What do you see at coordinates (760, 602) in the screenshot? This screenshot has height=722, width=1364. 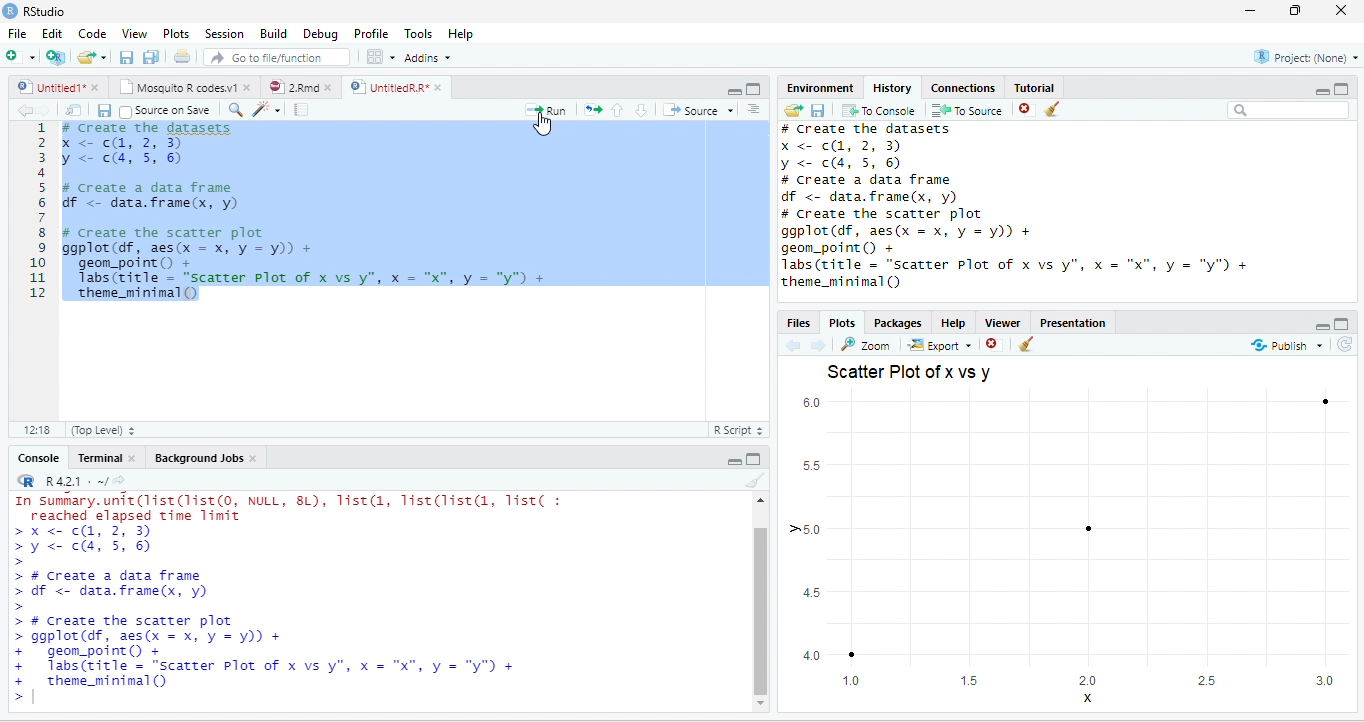 I see `vertical scroll bar` at bounding box center [760, 602].